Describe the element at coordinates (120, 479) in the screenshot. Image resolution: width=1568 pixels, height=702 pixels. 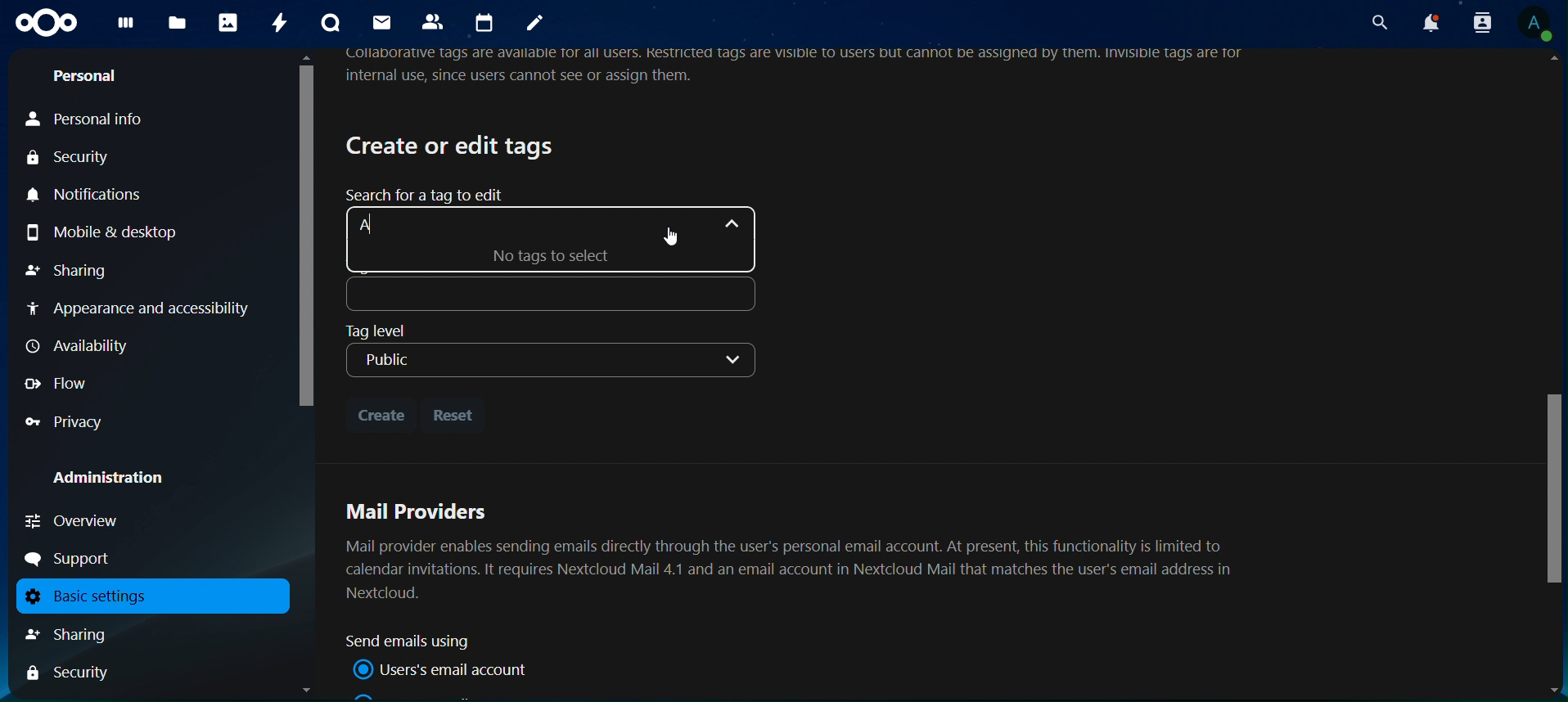
I see `administration` at that location.